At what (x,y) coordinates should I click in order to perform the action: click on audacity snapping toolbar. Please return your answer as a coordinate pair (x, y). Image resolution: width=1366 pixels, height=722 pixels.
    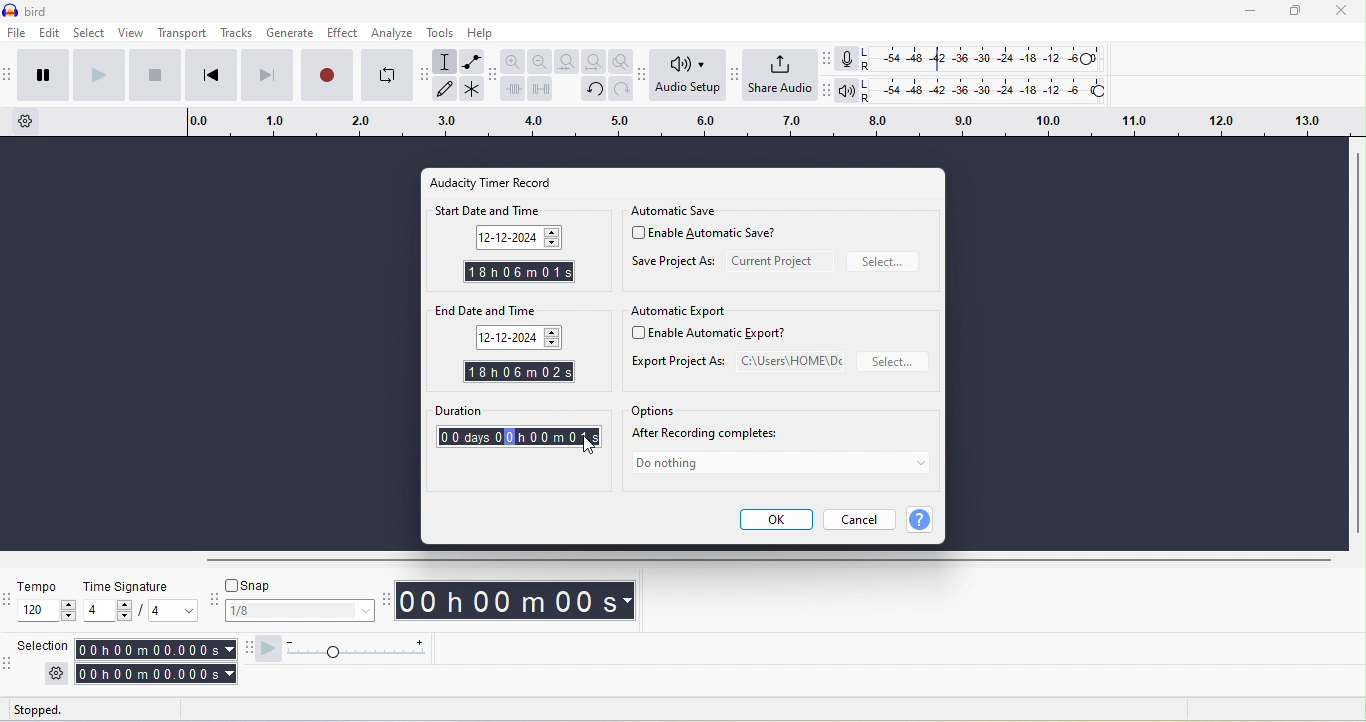
    Looking at the image, I should click on (214, 600).